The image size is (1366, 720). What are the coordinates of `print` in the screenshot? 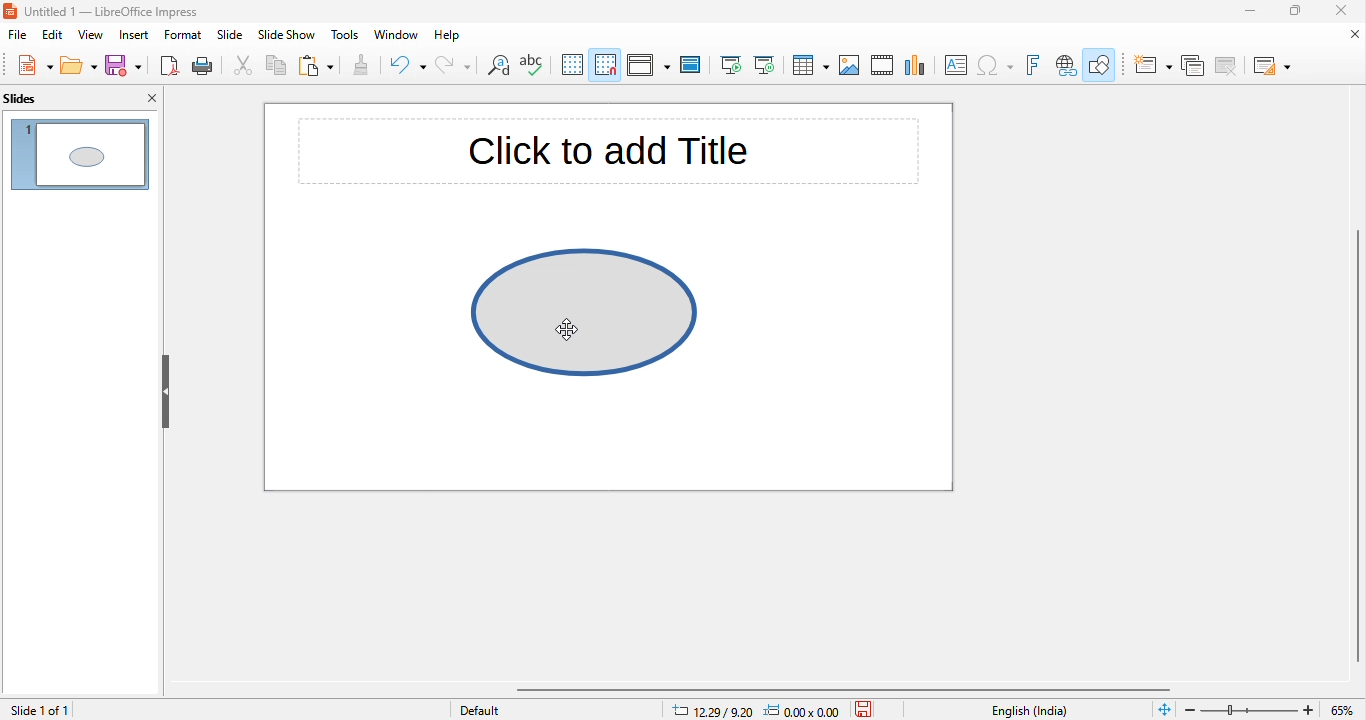 It's located at (208, 66).